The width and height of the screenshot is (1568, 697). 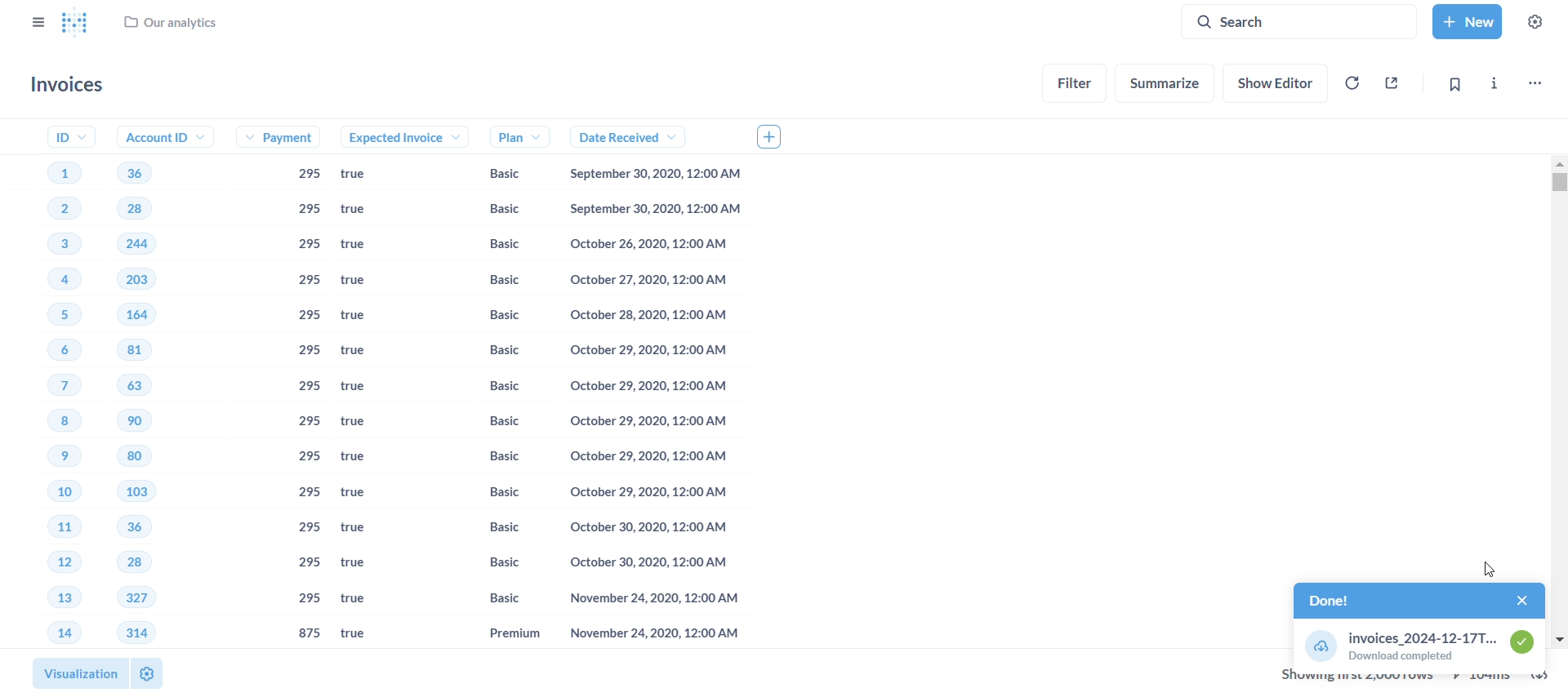 I want to click on true, so click(x=361, y=245).